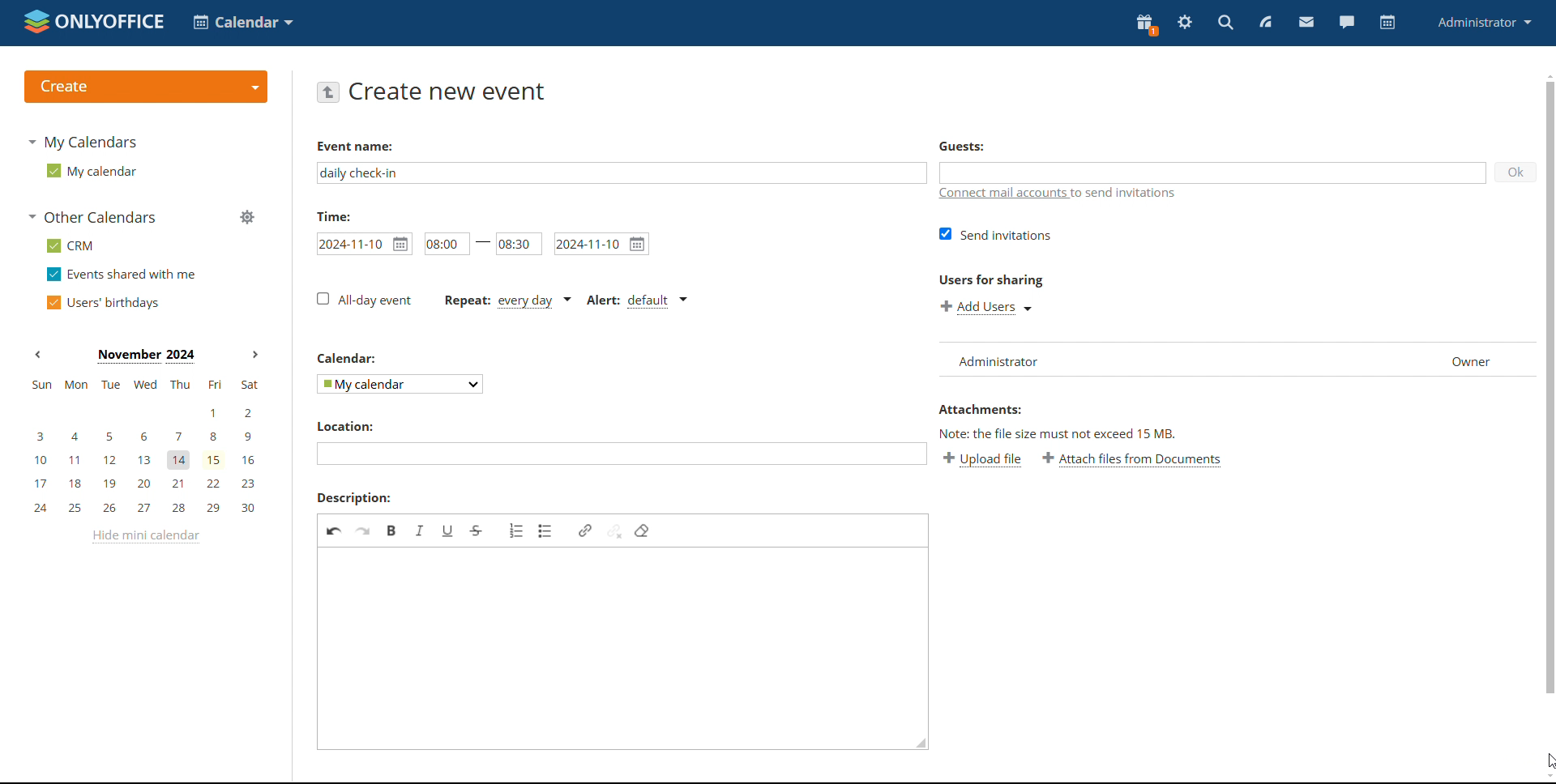 Image resolution: width=1556 pixels, height=784 pixels. Describe the element at coordinates (617, 649) in the screenshot. I see `add description` at that location.